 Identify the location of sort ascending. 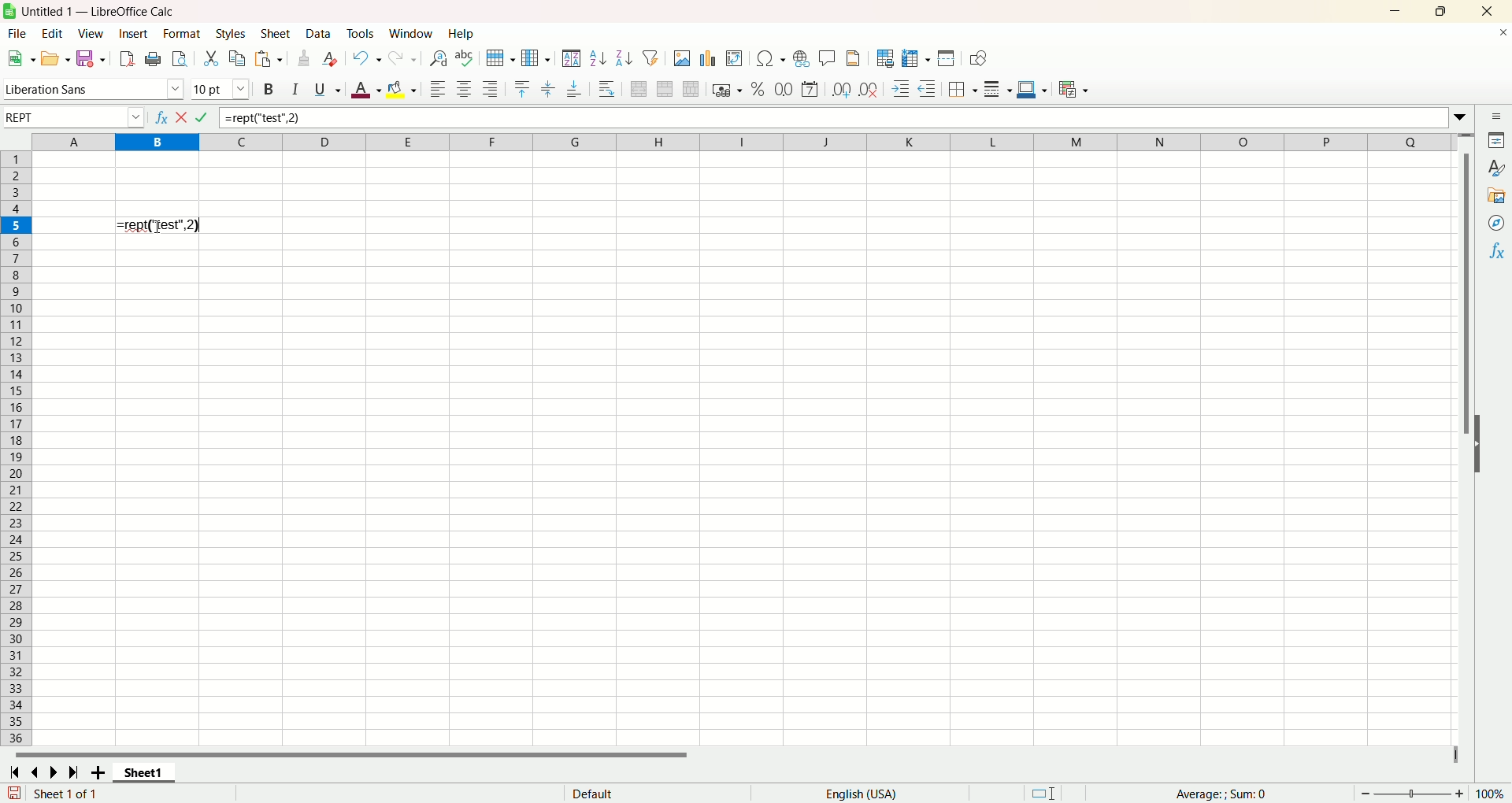
(597, 57).